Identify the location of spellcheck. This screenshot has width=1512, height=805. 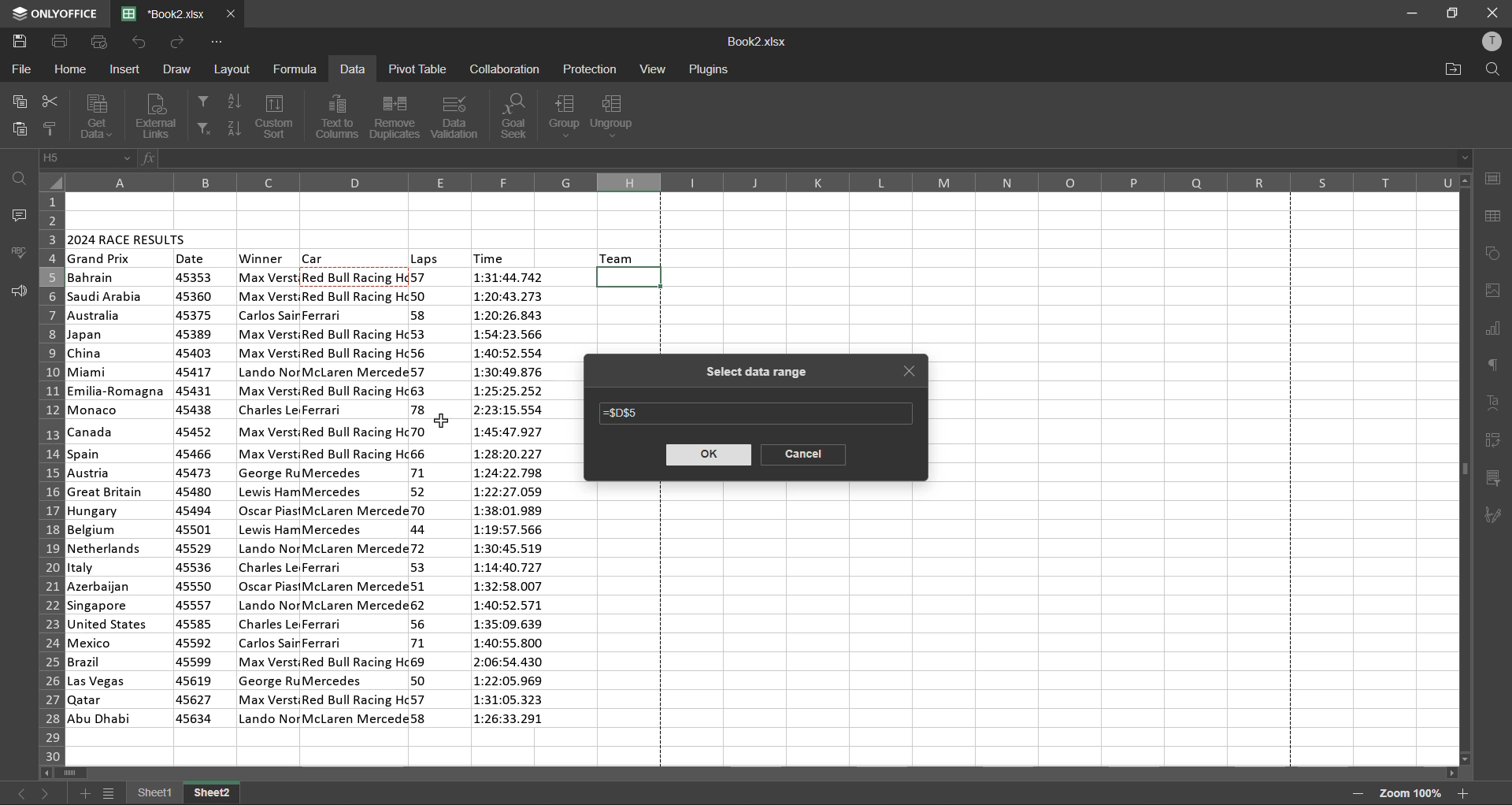
(20, 252).